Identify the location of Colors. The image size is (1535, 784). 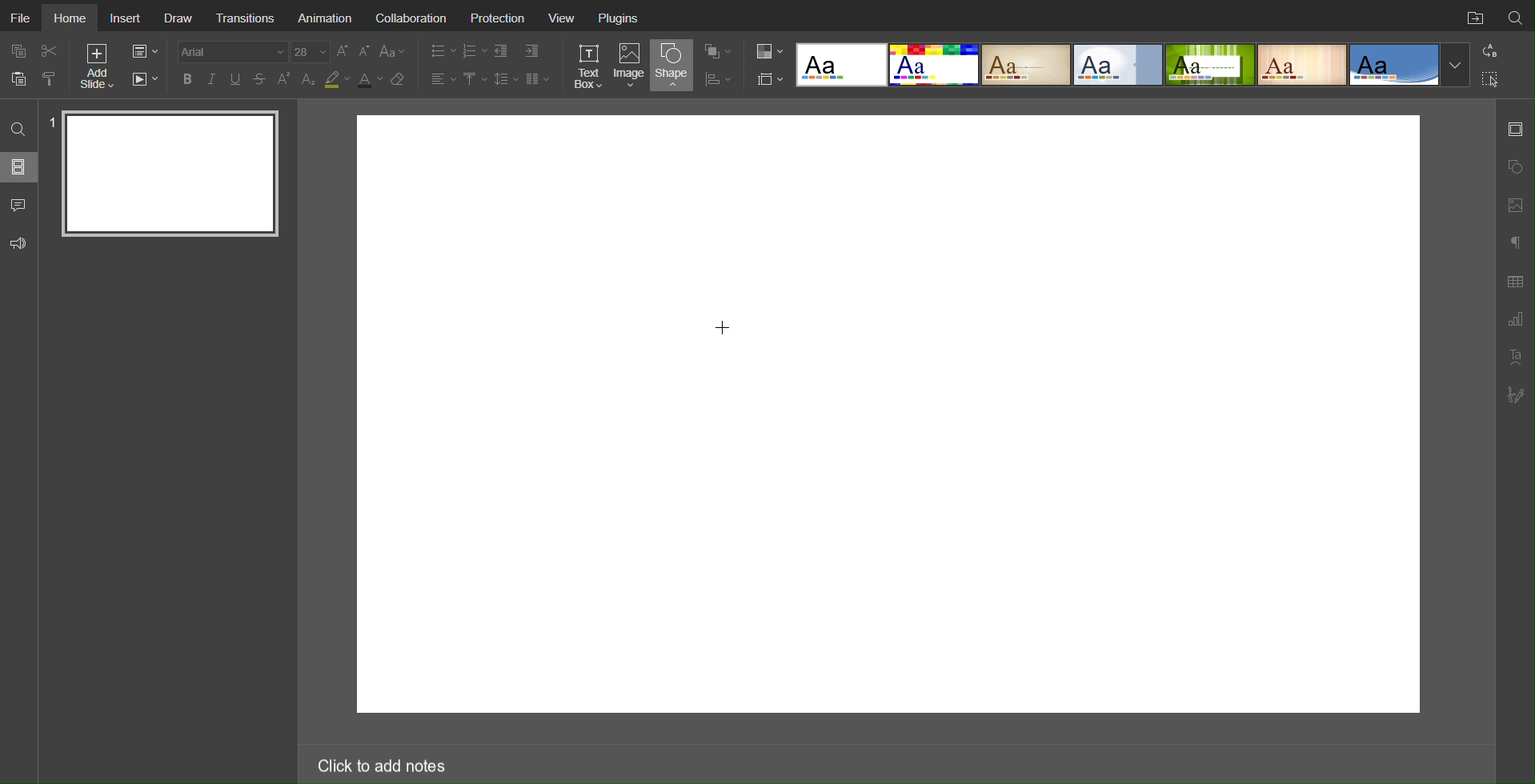
(767, 50).